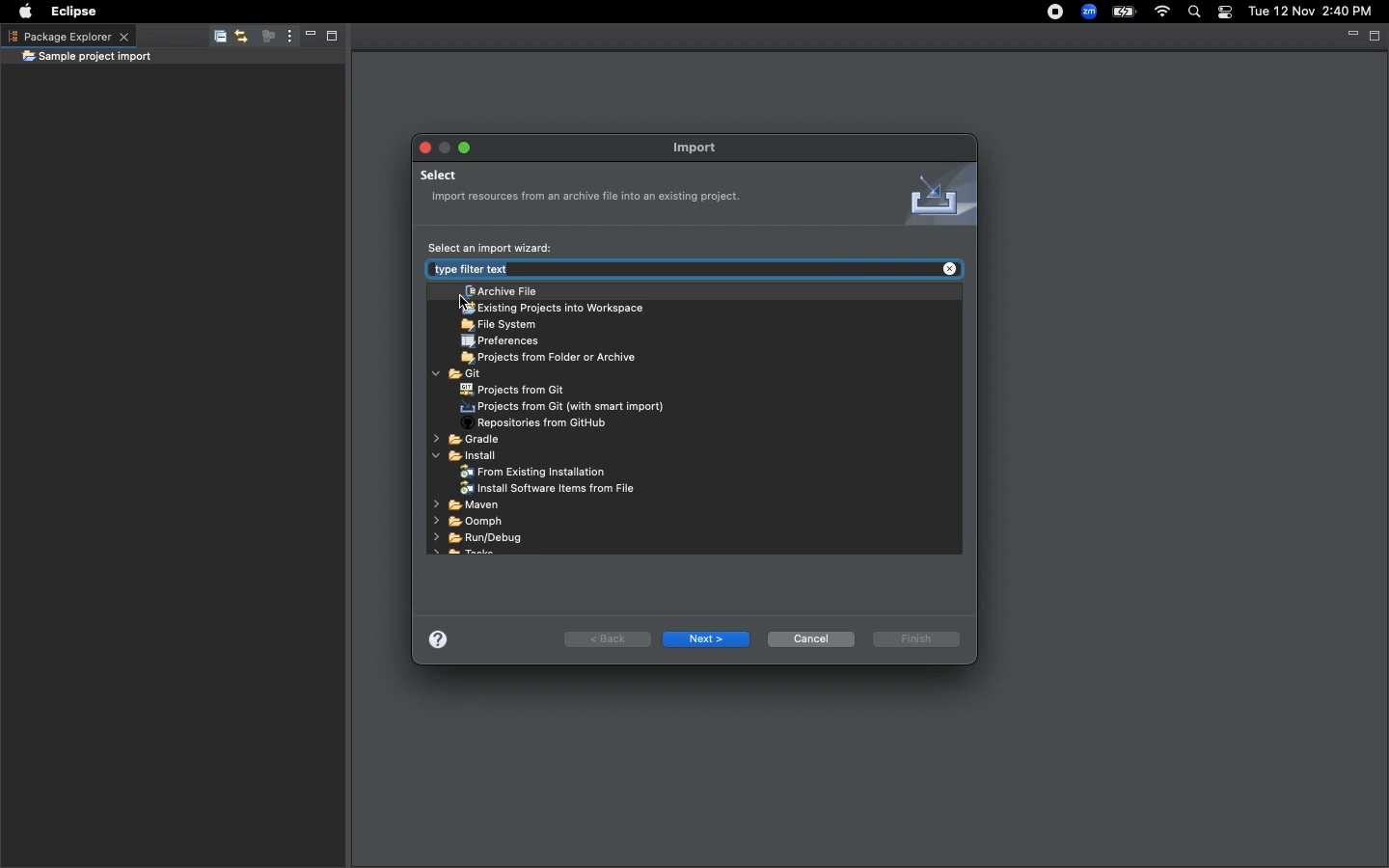 This screenshot has width=1389, height=868. Describe the element at coordinates (1049, 17) in the screenshot. I see `Recording` at that location.